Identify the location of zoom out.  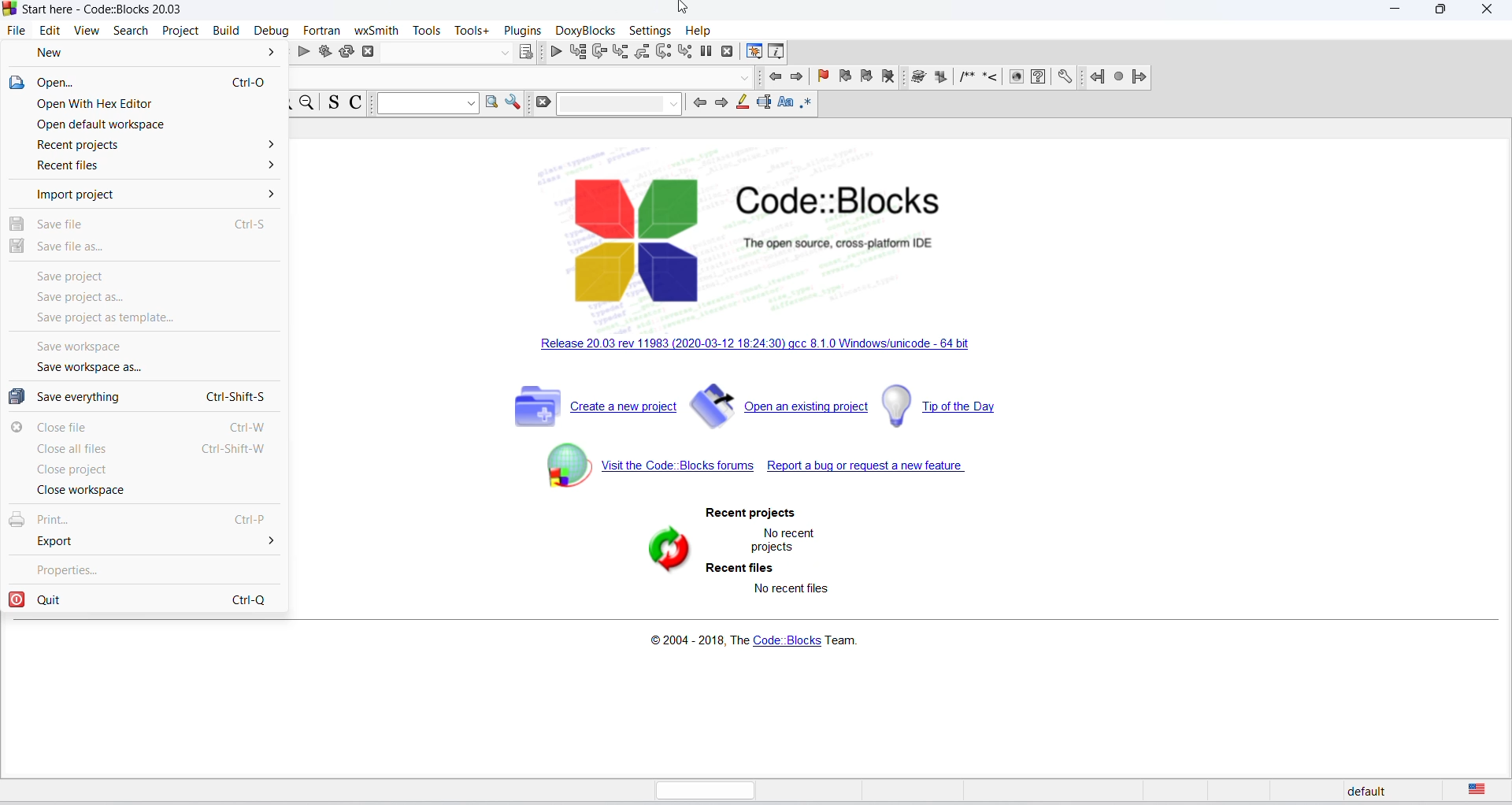
(304, 105).